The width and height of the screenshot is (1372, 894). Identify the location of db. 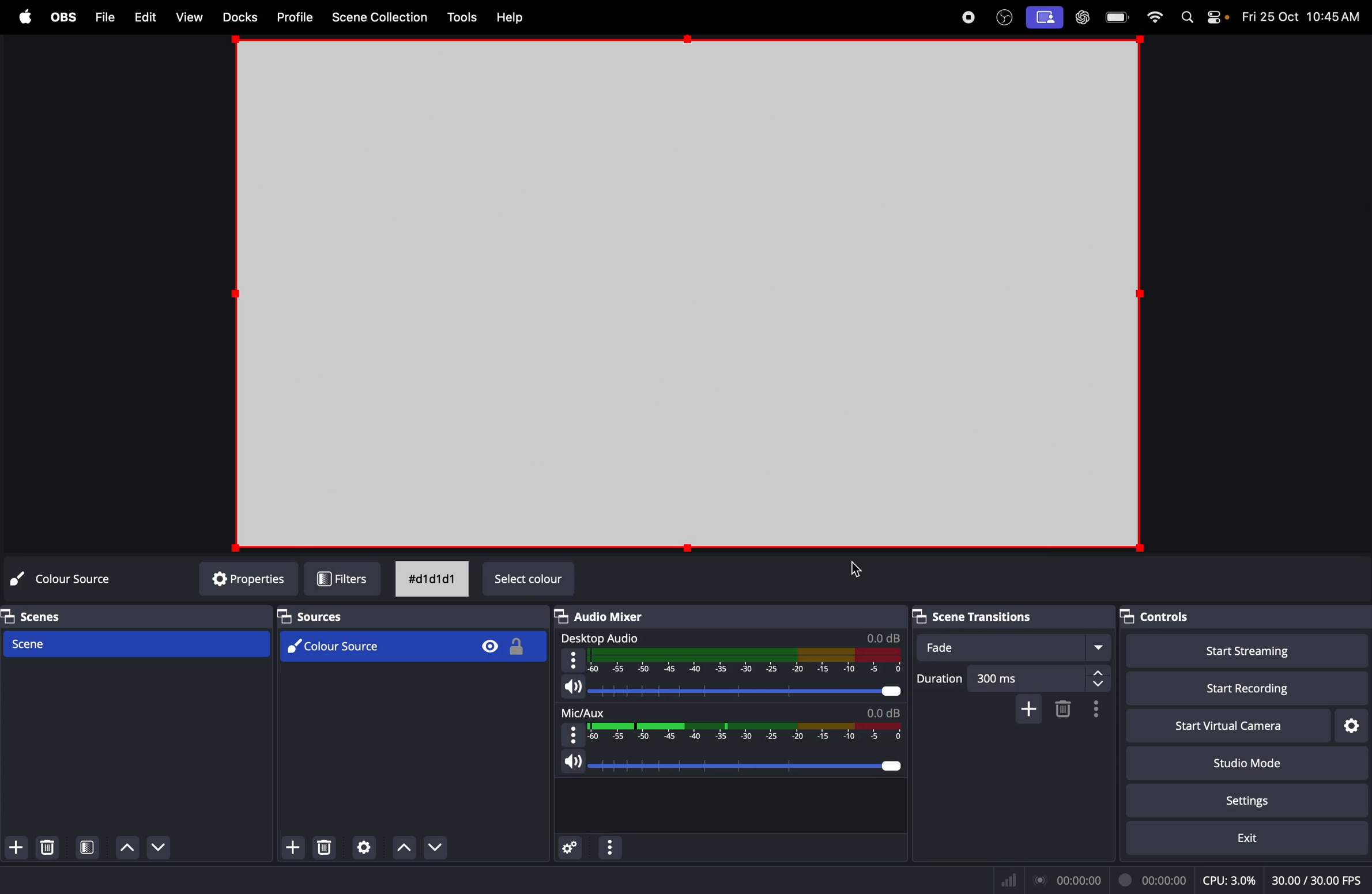
(881, 637).